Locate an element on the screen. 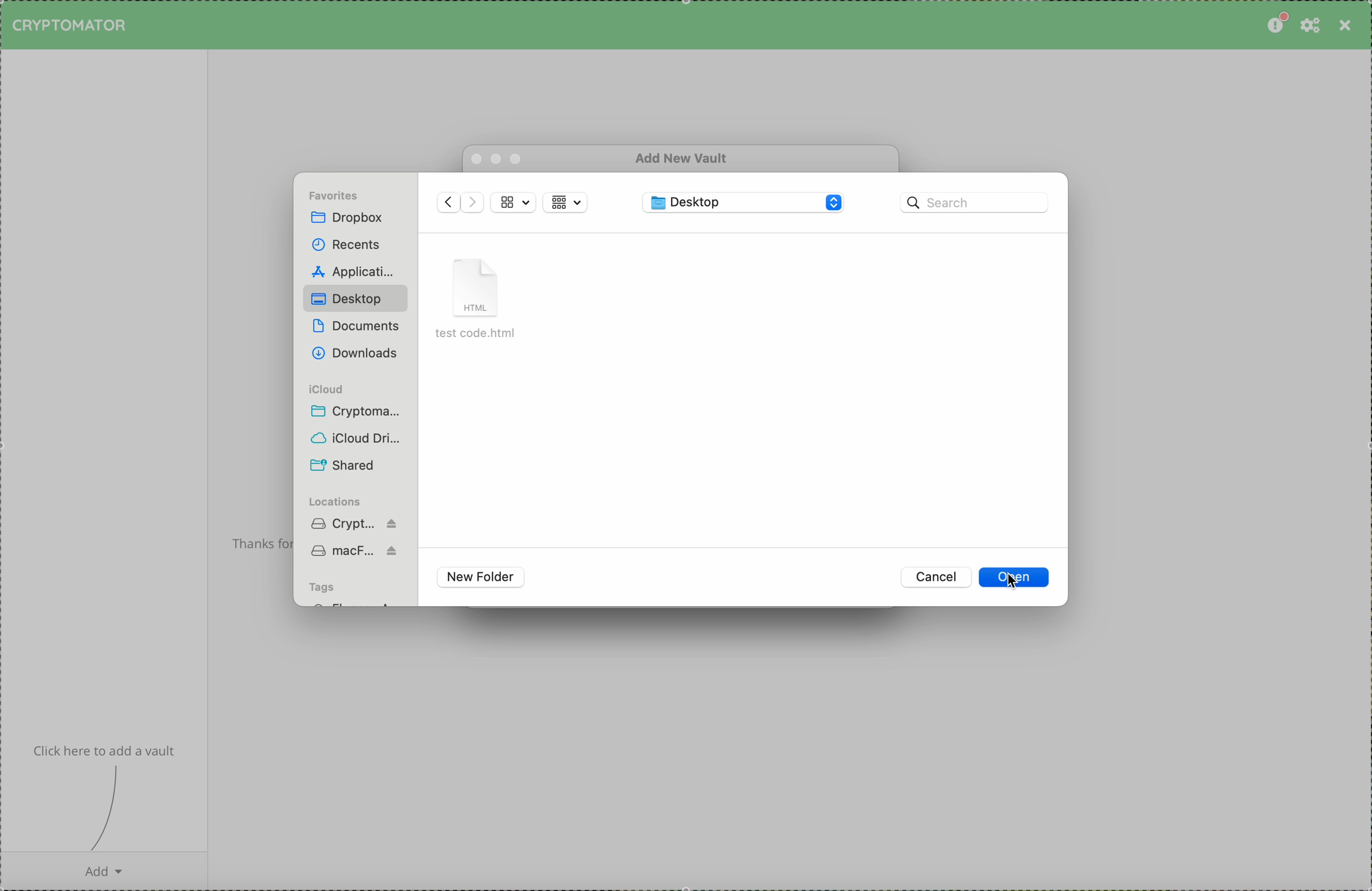 This screenshot has width=1372, height=891. cancel button is located at coordinates (937, 577).